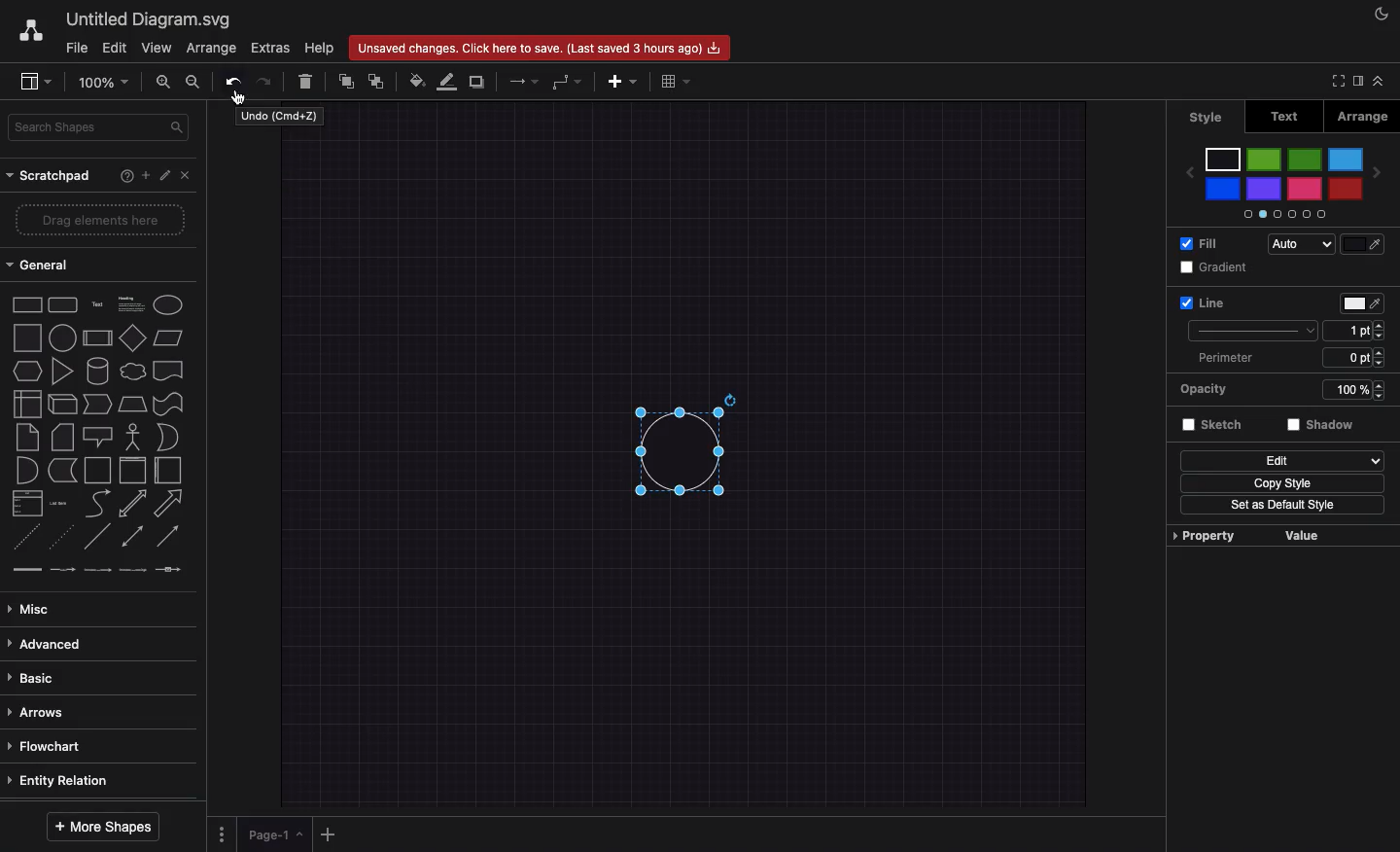  I want to click on Misc, so click(39, 609).